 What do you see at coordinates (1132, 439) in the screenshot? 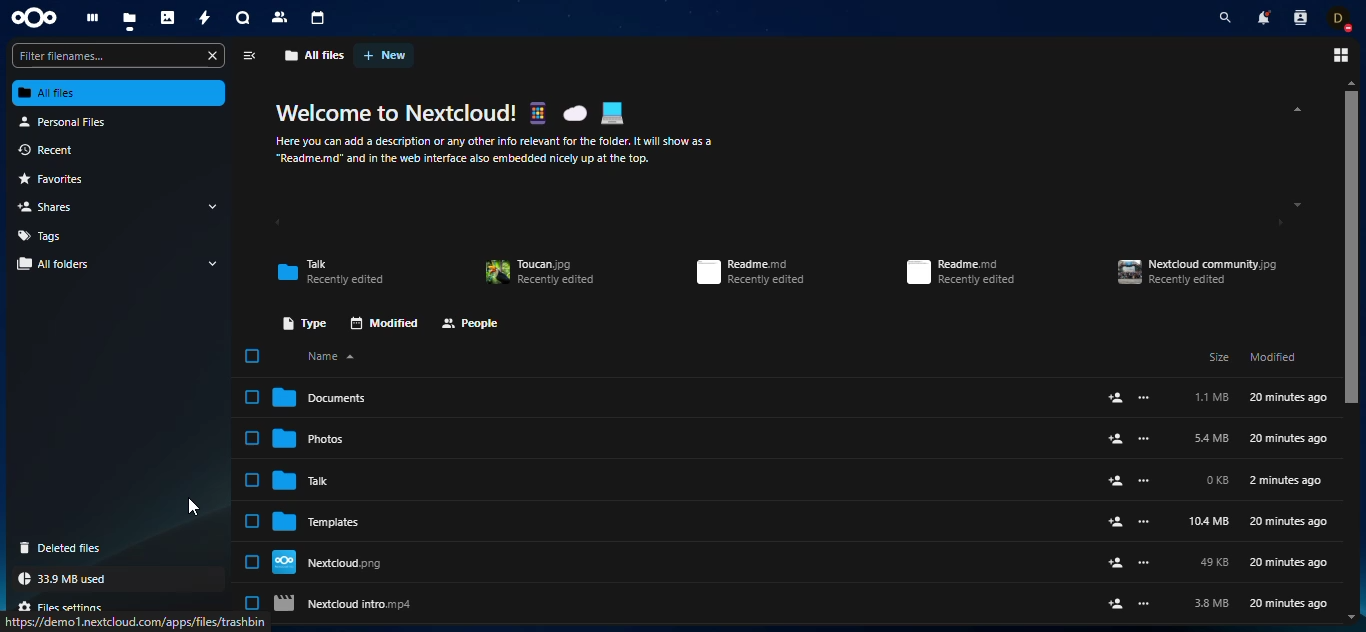
I see `Add` at bounding box center [1132, 439].